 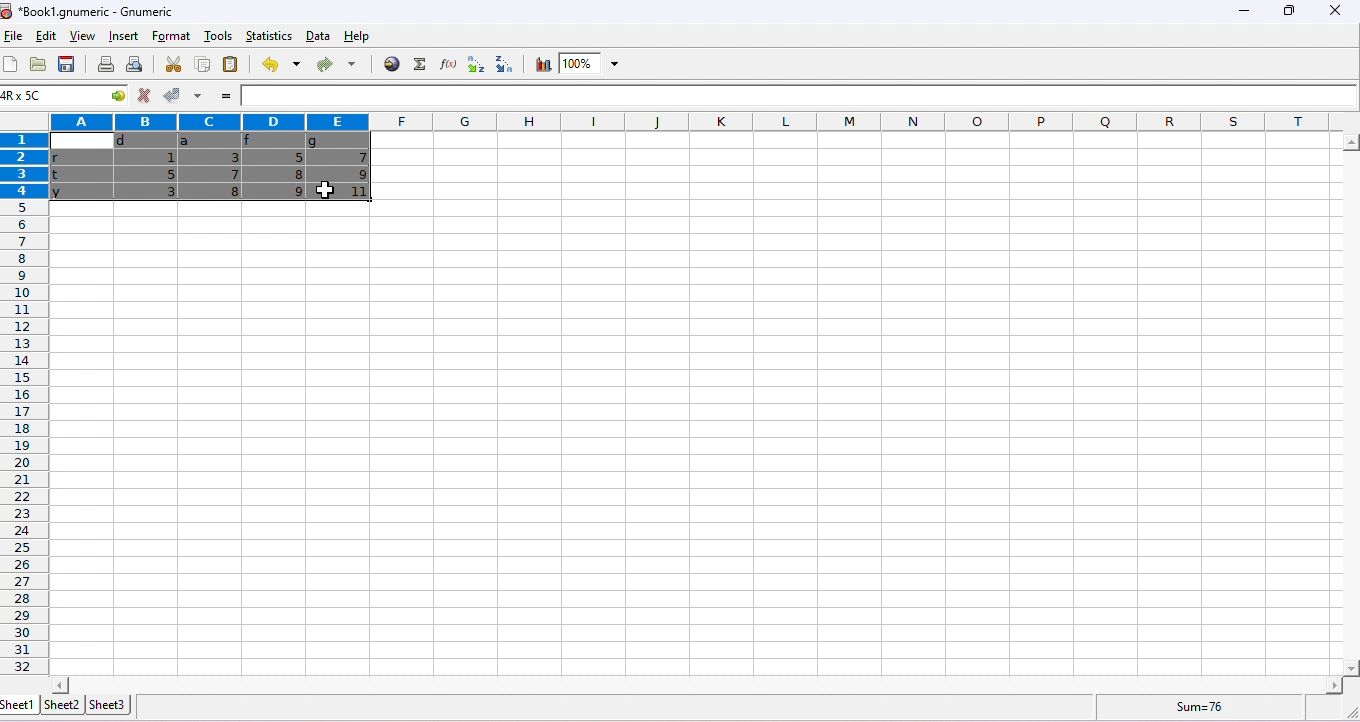 What do you see at coordinates (61, 704) in the screenshot?
I see `sheet2` at bounding box center [61, 704].